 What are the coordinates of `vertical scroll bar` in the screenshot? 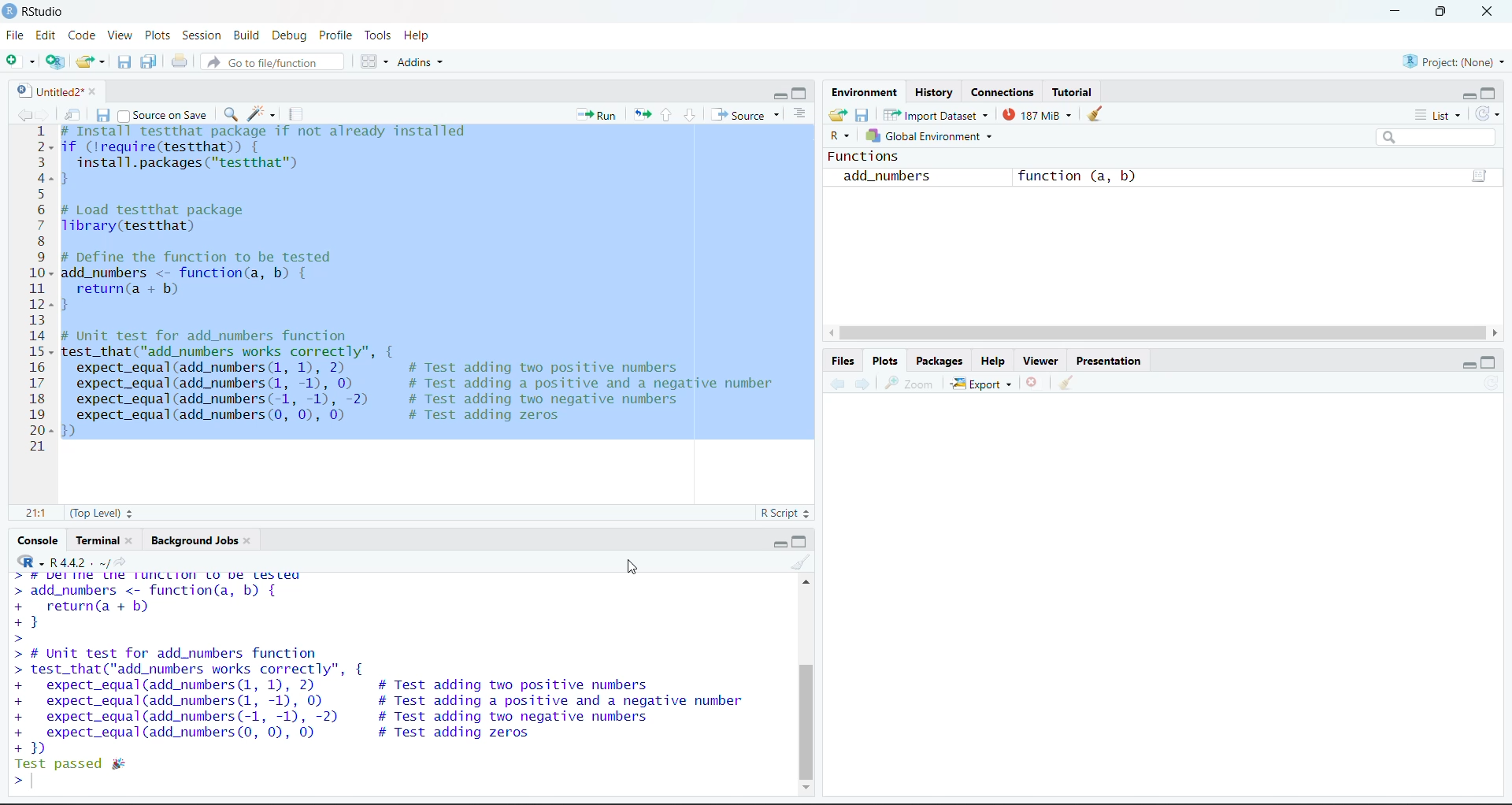 It's located at (808, 721).